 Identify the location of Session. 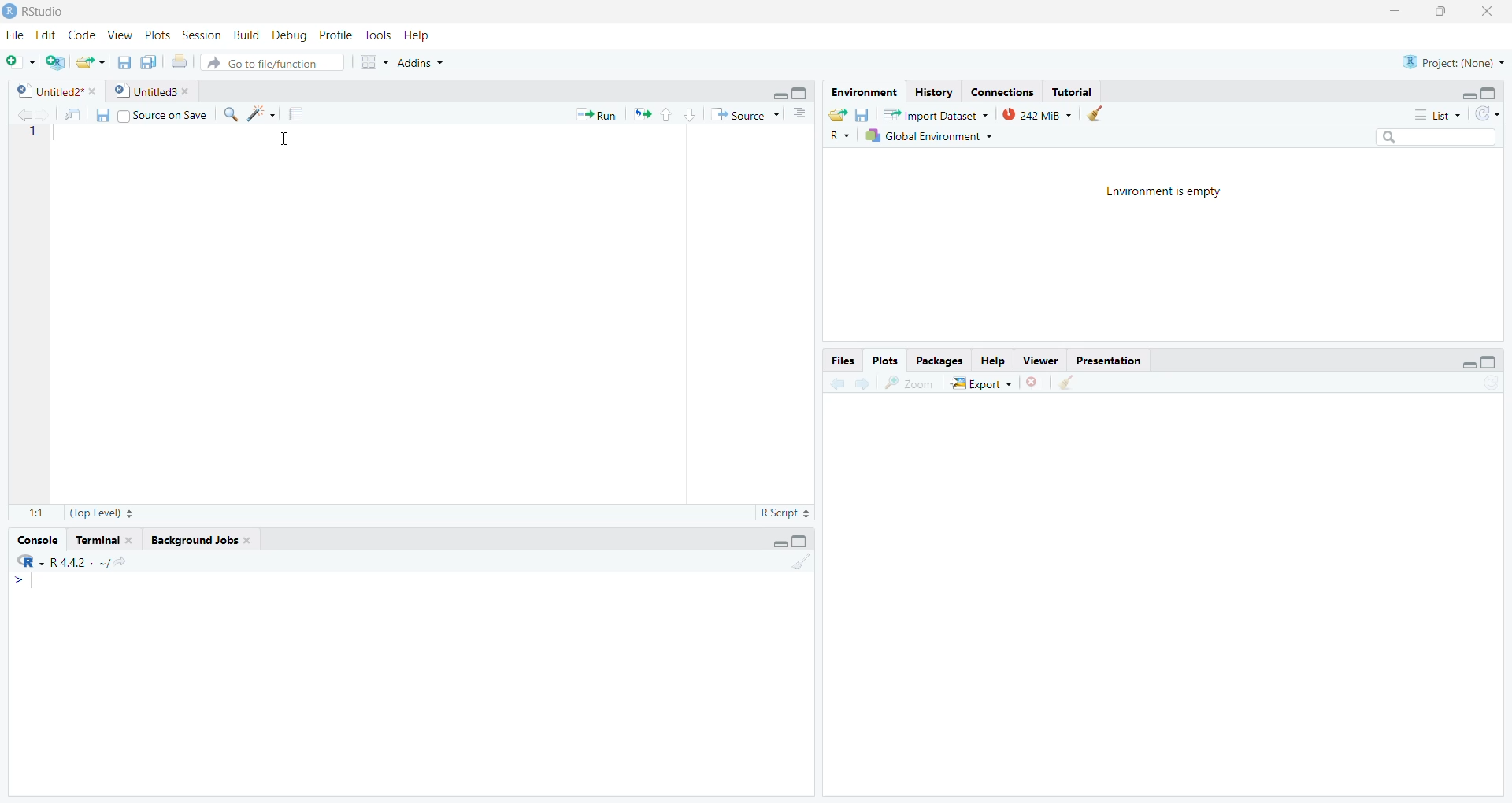
(201, 35).